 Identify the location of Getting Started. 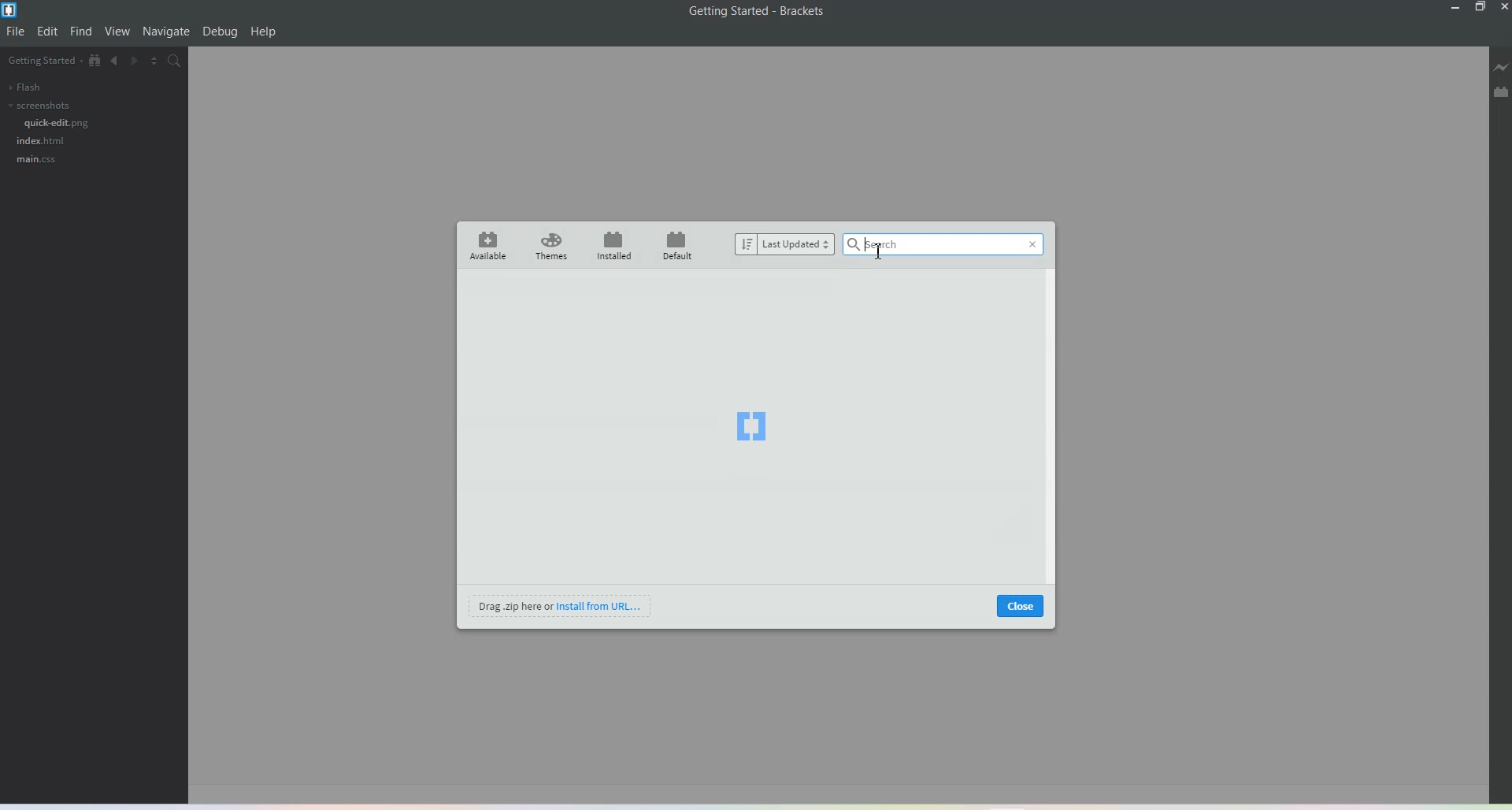
(43, 61).